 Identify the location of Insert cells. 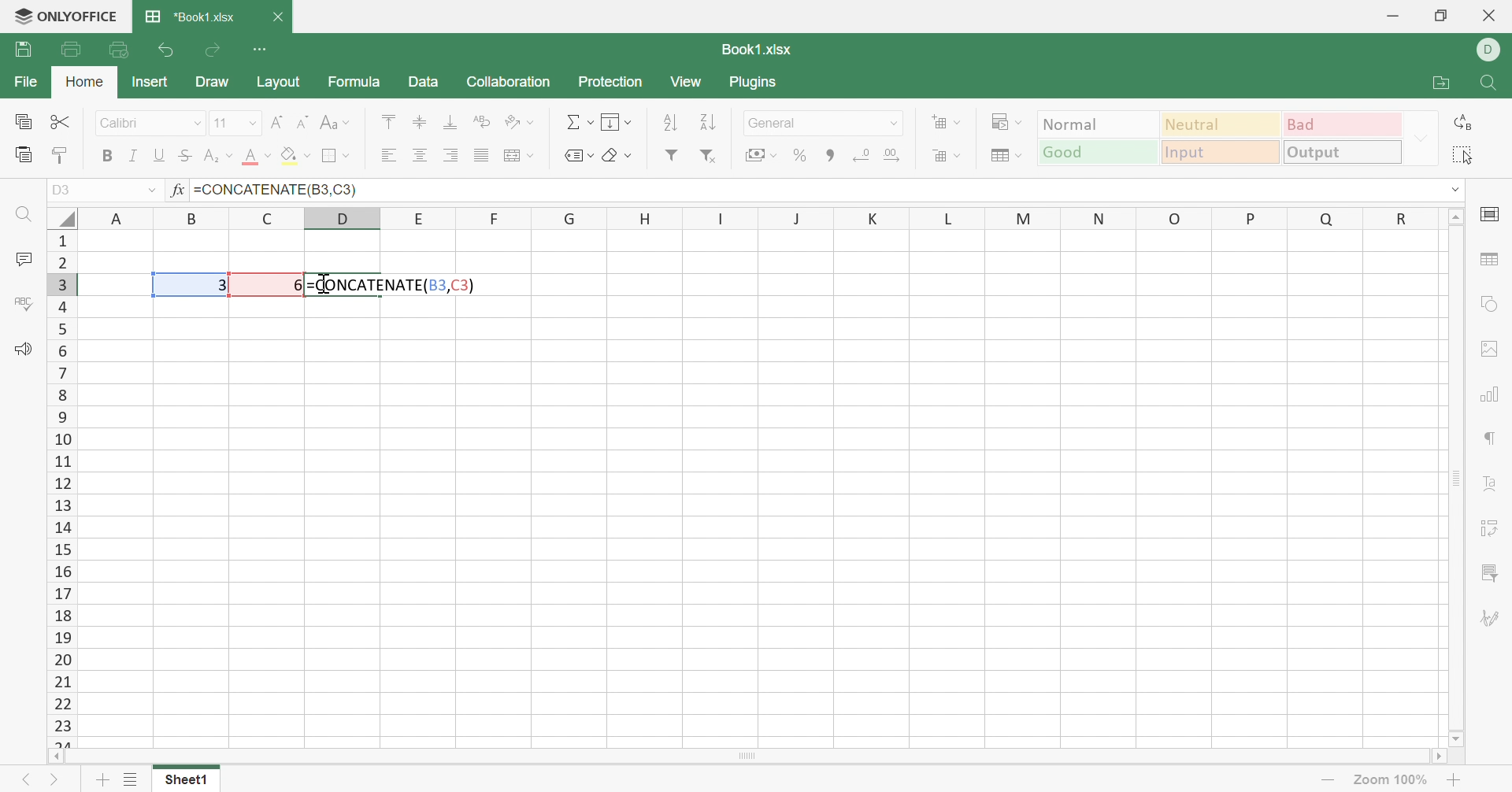
(949, 121).